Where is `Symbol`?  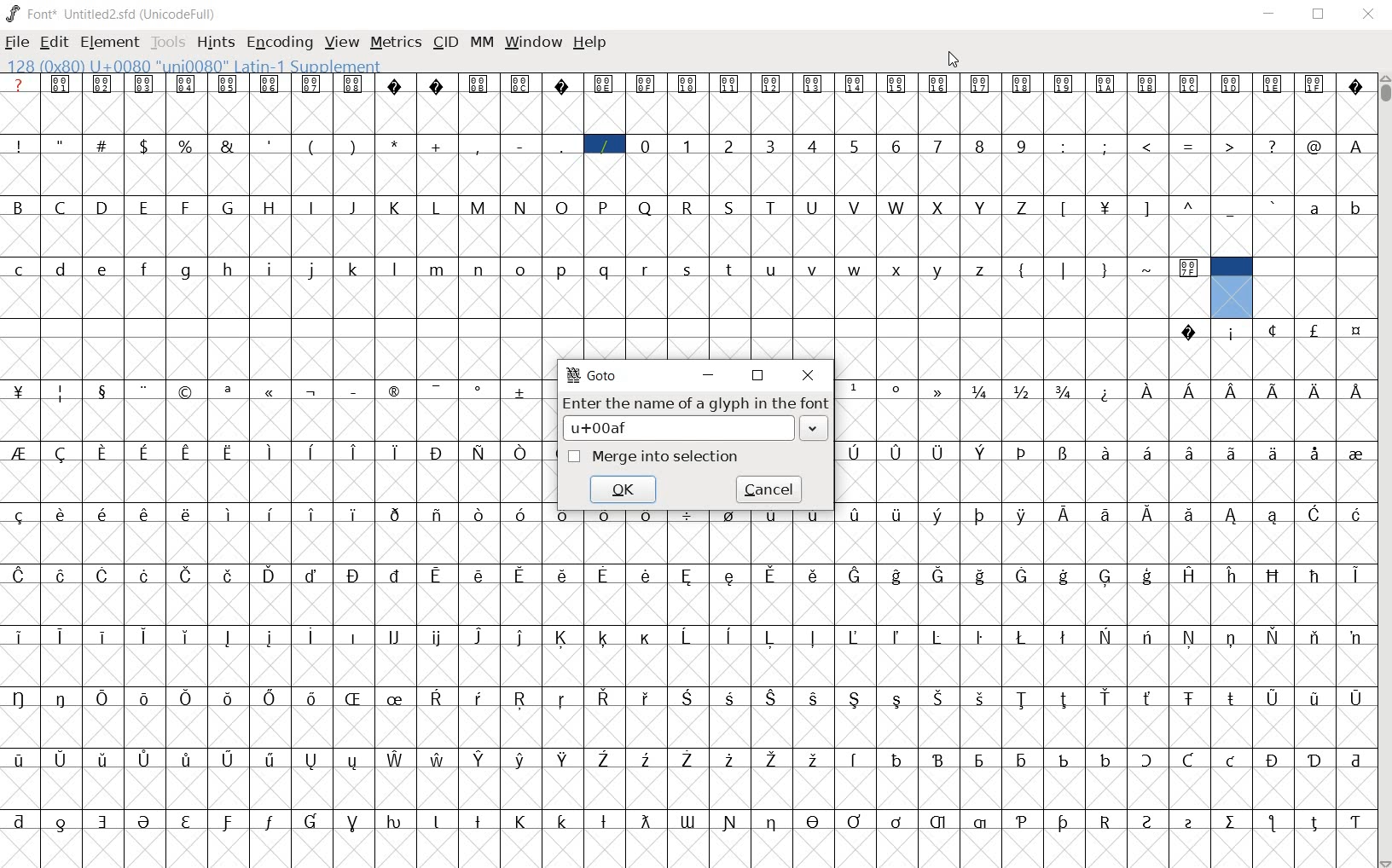 Symbol is located at coordinates (20, 391).